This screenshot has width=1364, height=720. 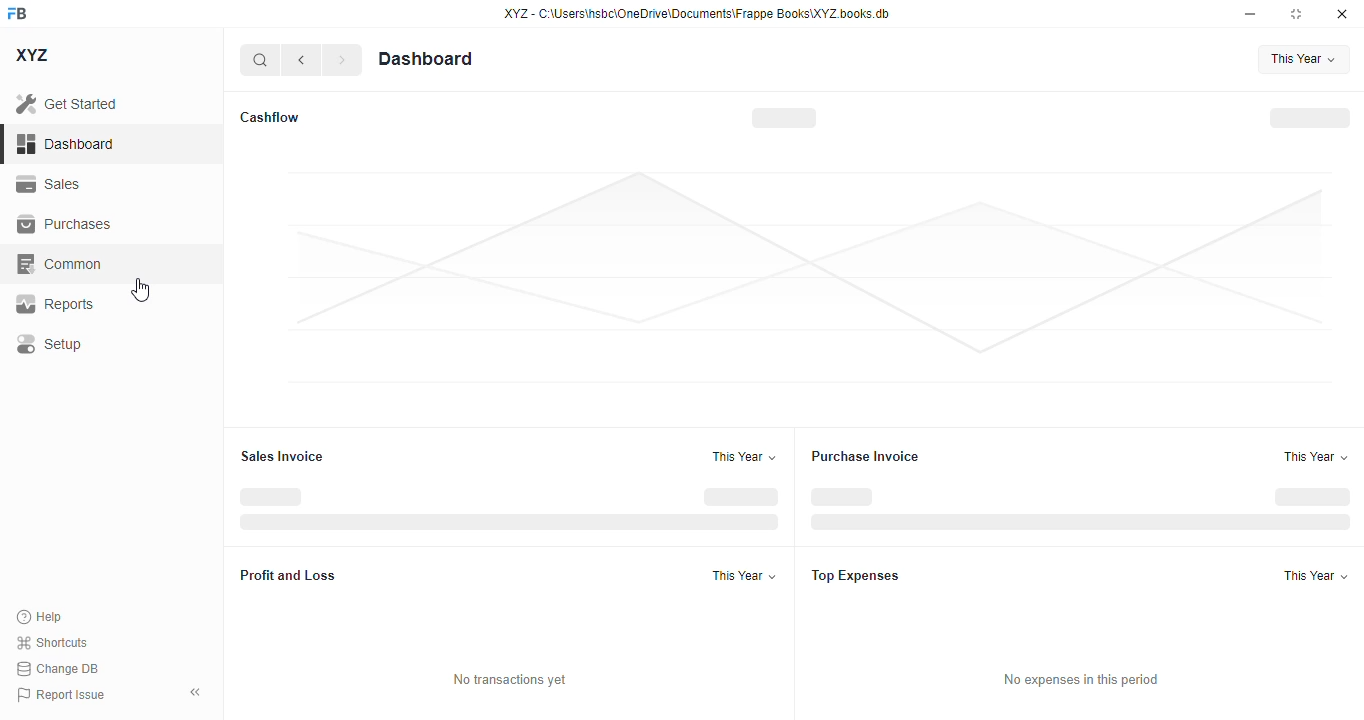 What do you see at coordinates (31, 55) in the screenshot?
I see `XYZ` at bounding box center [31, 55].